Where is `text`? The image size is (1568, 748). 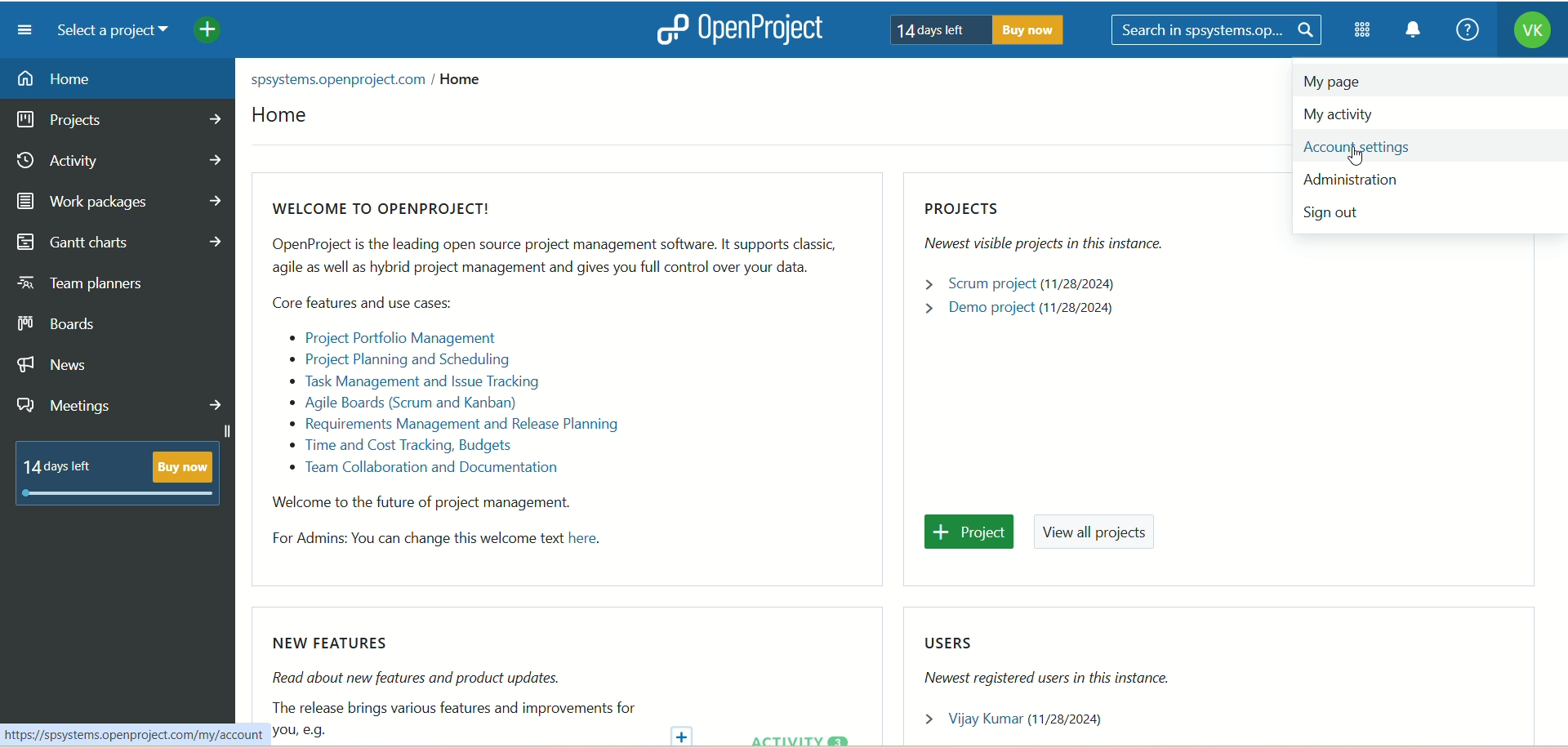 text is located at coordinates (971, 29).